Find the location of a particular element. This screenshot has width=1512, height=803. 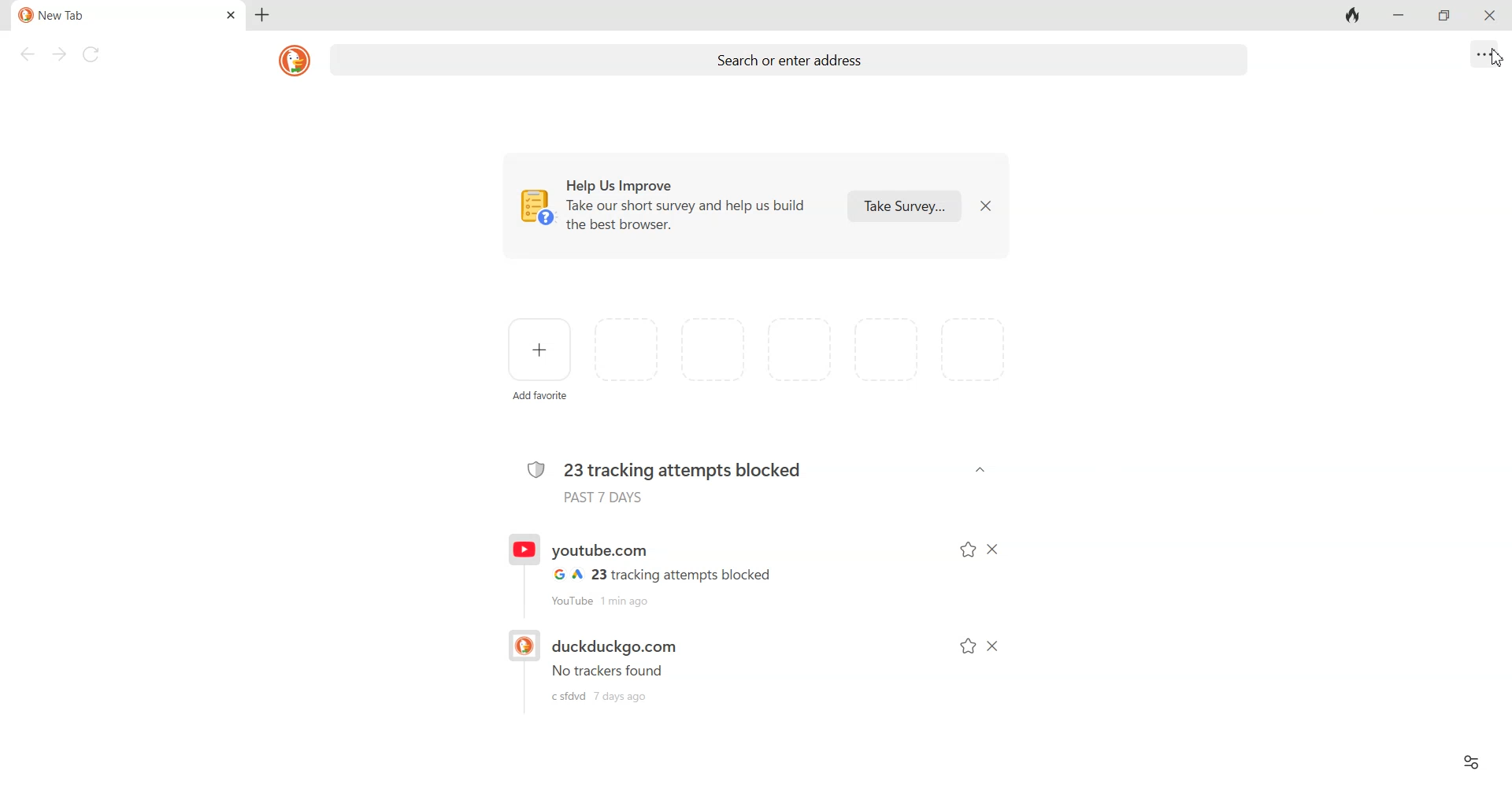

Take survey... is located at coordinates (904, 205).